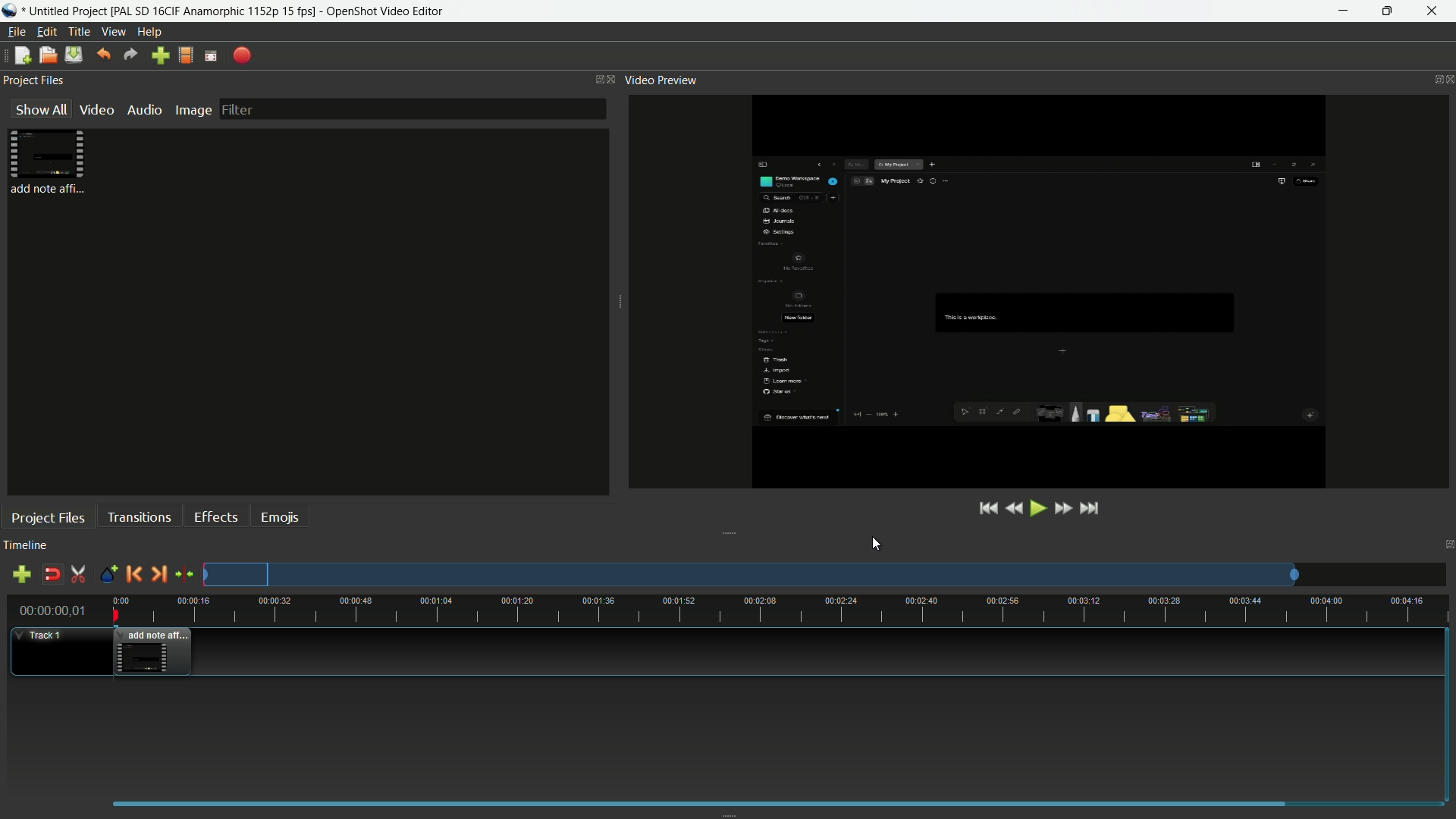 The height and width of the screenshot is (819, 1456). What do you see at coordinates (985, 509) in the screenshot?
I see `jump to start` at bounding box center [985, 509].